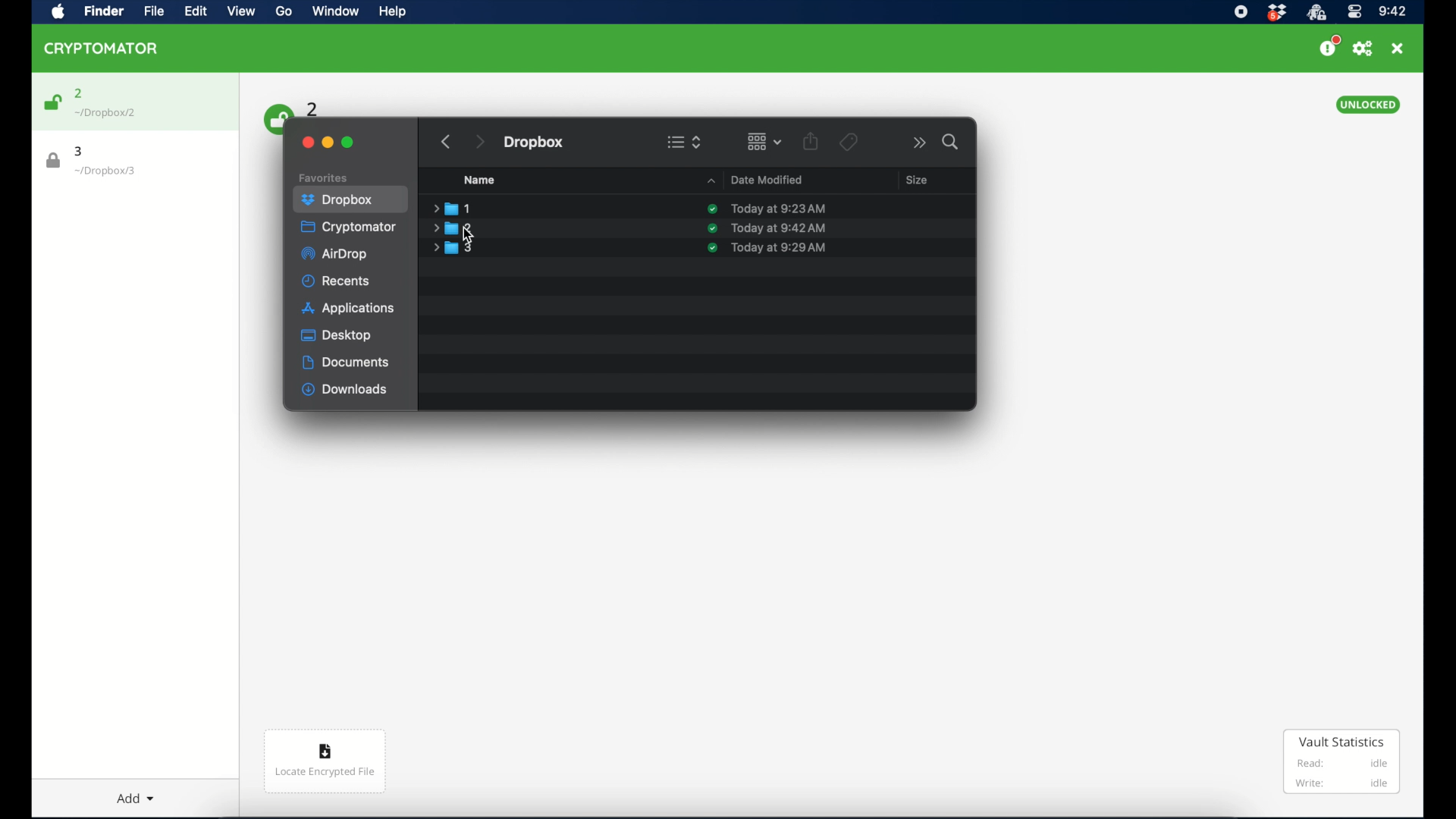  I want to click on close, so click(306, 143).